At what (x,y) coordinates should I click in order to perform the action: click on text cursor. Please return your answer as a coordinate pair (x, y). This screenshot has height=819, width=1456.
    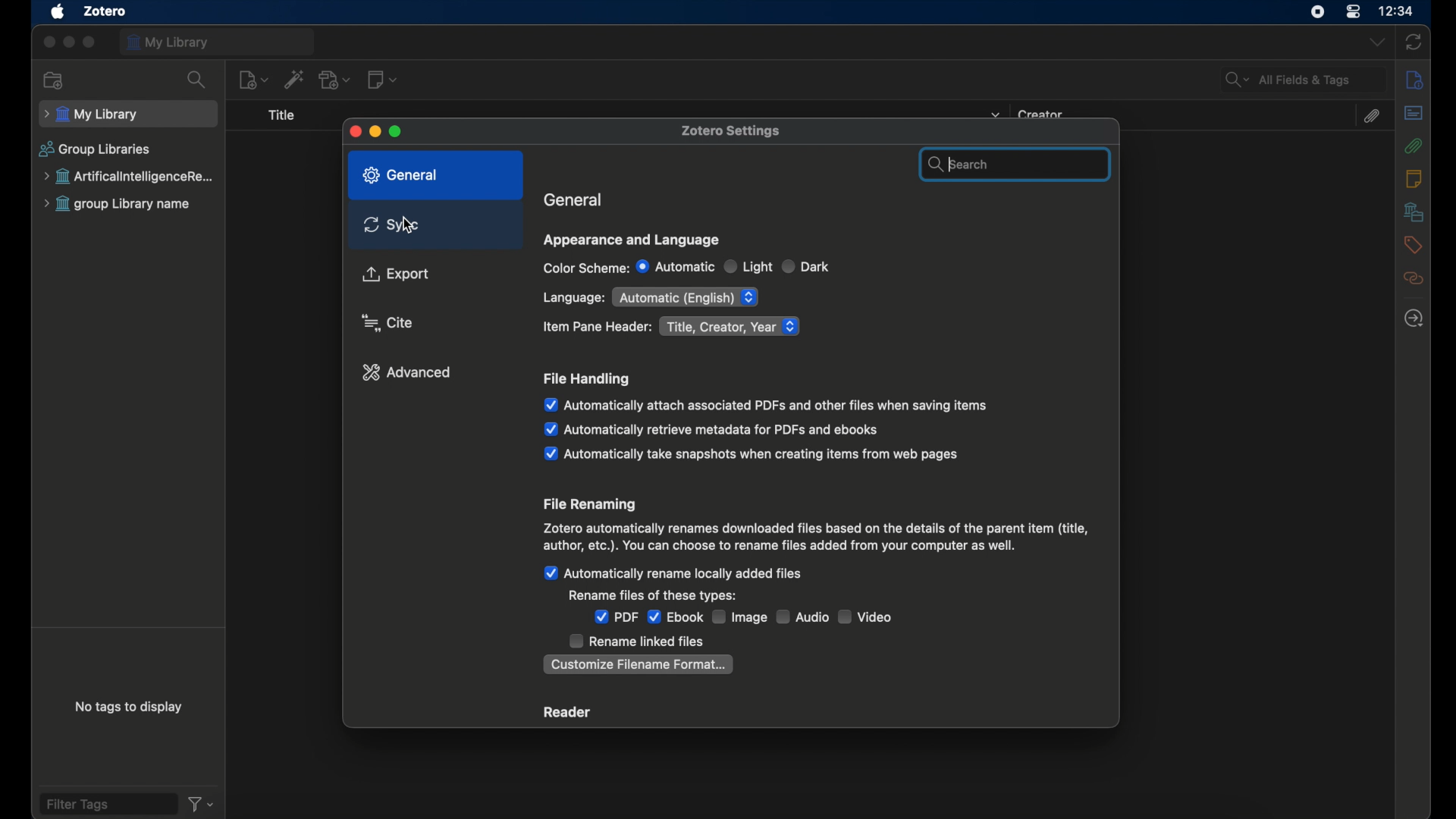
    Looking at the image, I should click on (946, 168).